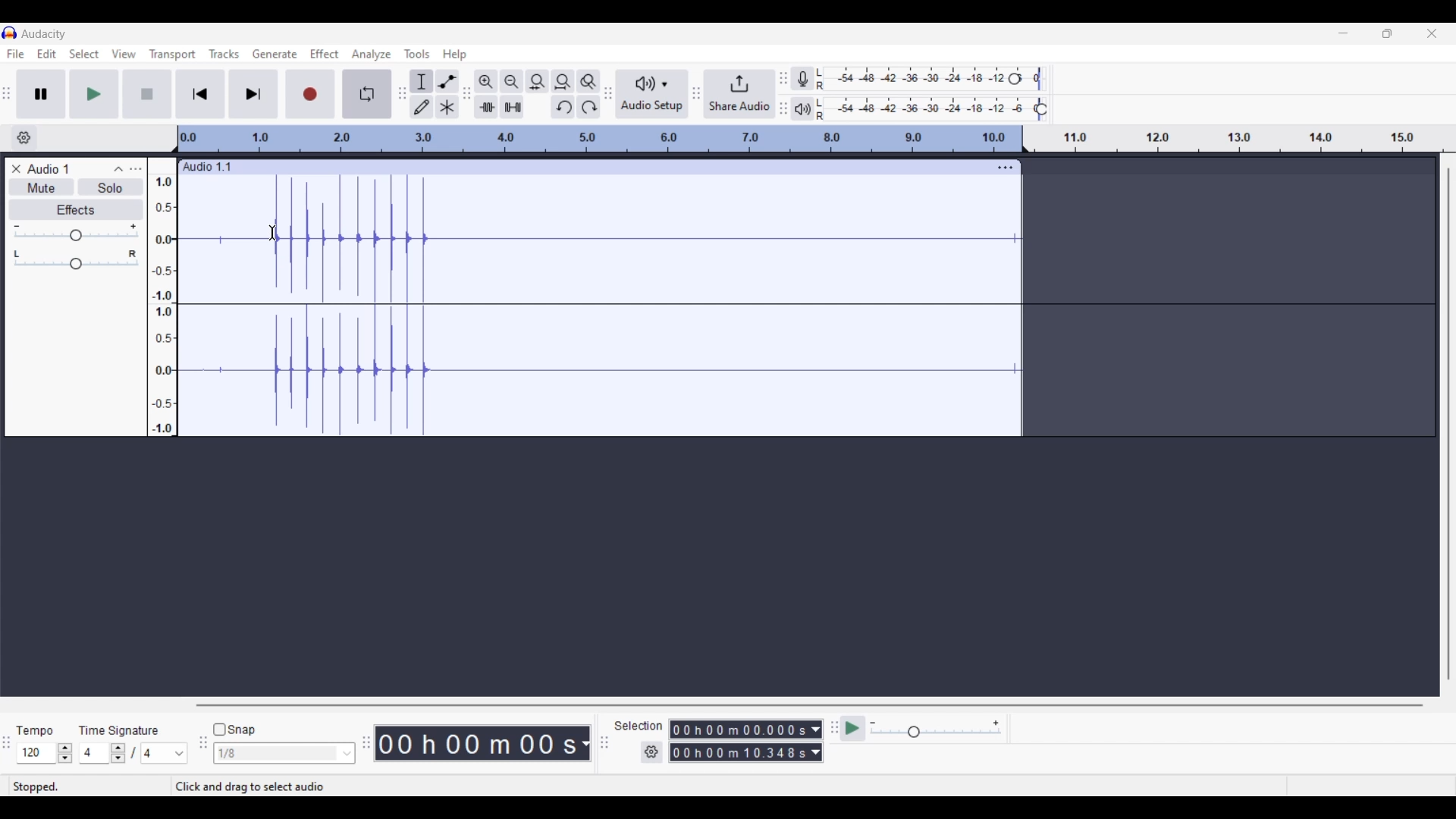 The width and height of the screenshot is (1456, 819). What do you see at coordinates (76, 209) in the screenshot?
I see `Effects` at bounding box center [76, 209].